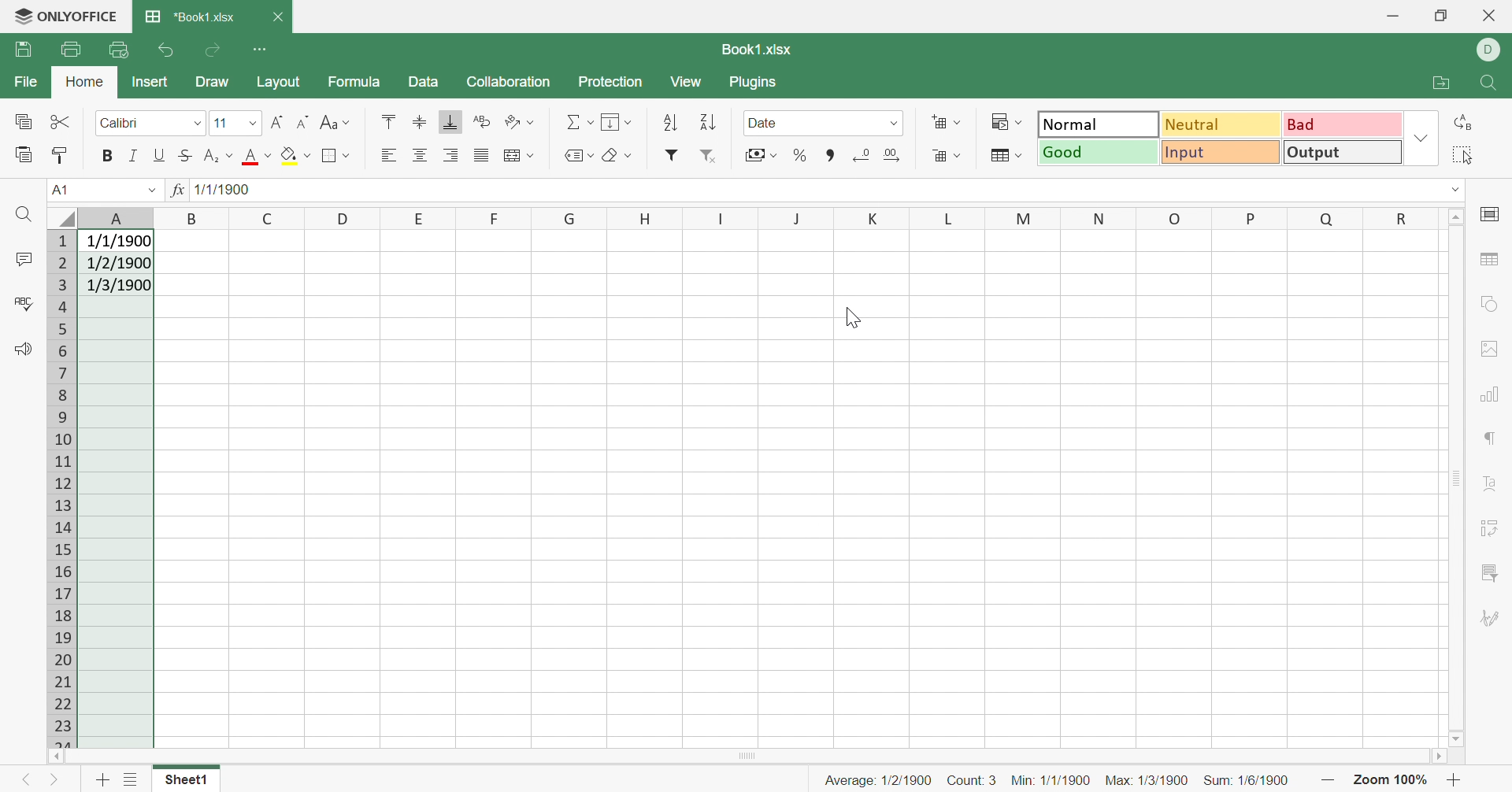 Image resolution: width=1512 pixels, height=792 pixels. I want to click on Align top, so click(388, 120).